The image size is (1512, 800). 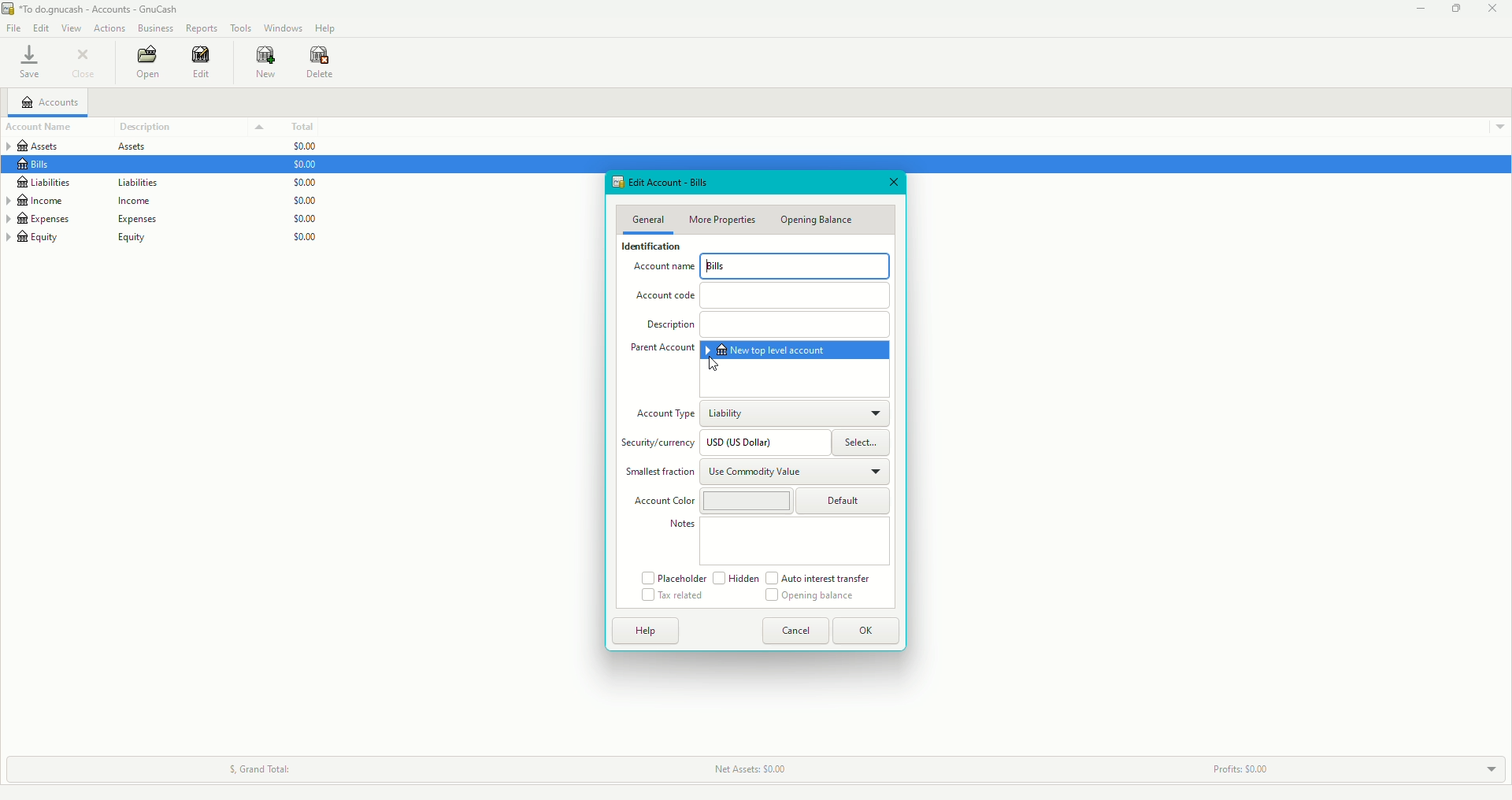 I want to click on Total, so click(x=309, y=127).